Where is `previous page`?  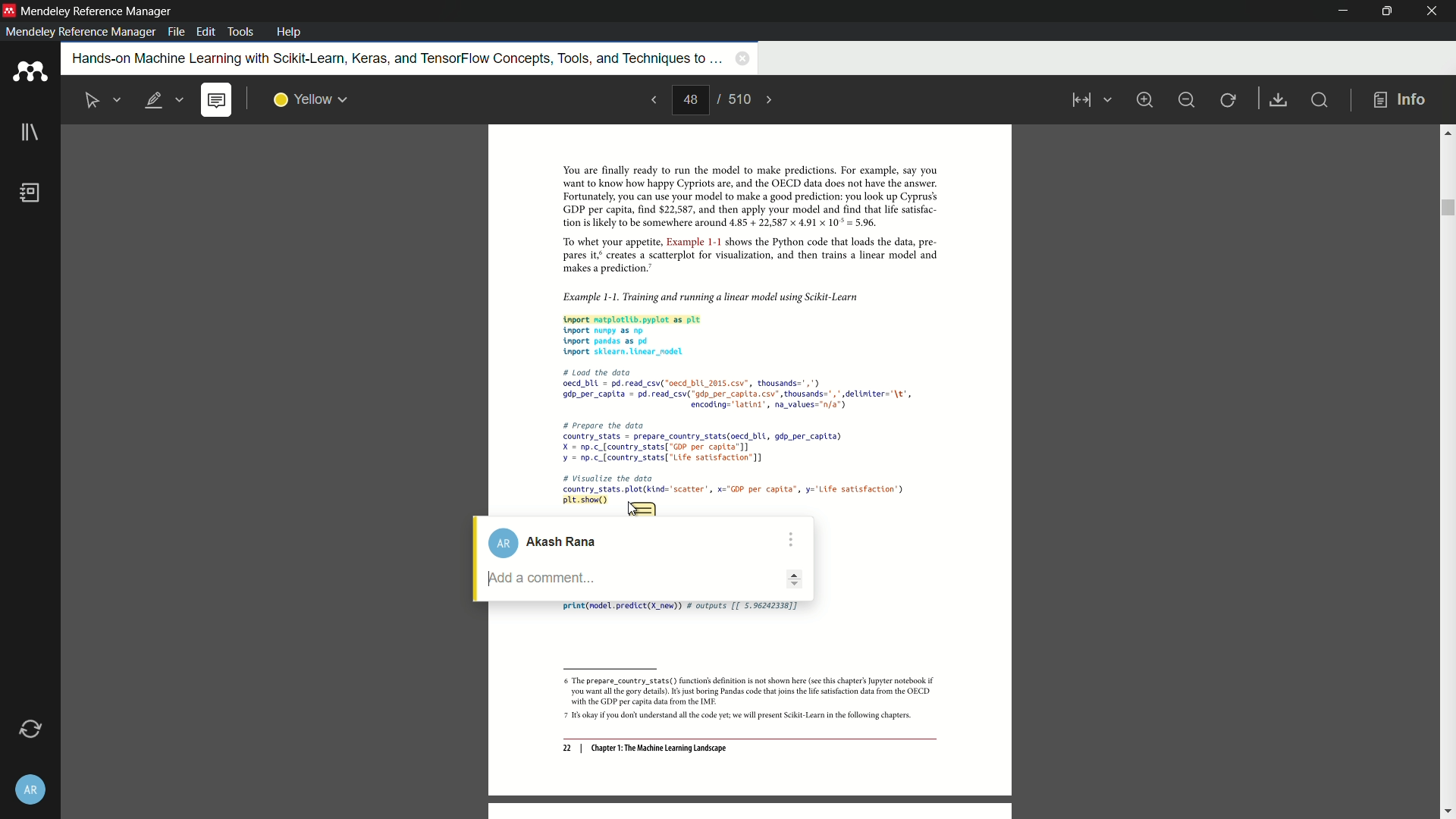 previous page is located at coordinates (652, 99).